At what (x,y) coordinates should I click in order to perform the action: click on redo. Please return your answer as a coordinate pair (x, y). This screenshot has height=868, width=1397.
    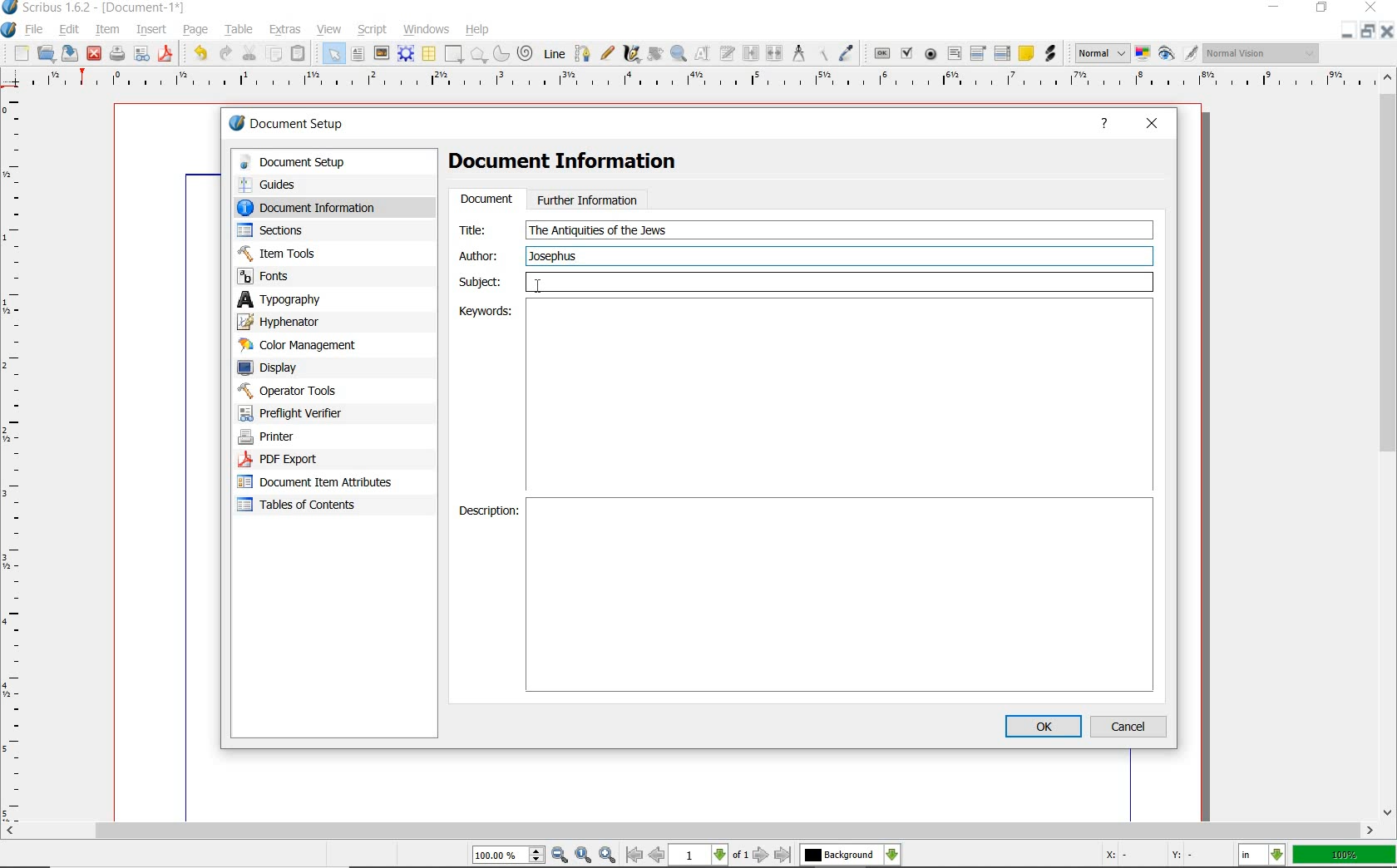
    Looking at the image, I should click on (227, 54).